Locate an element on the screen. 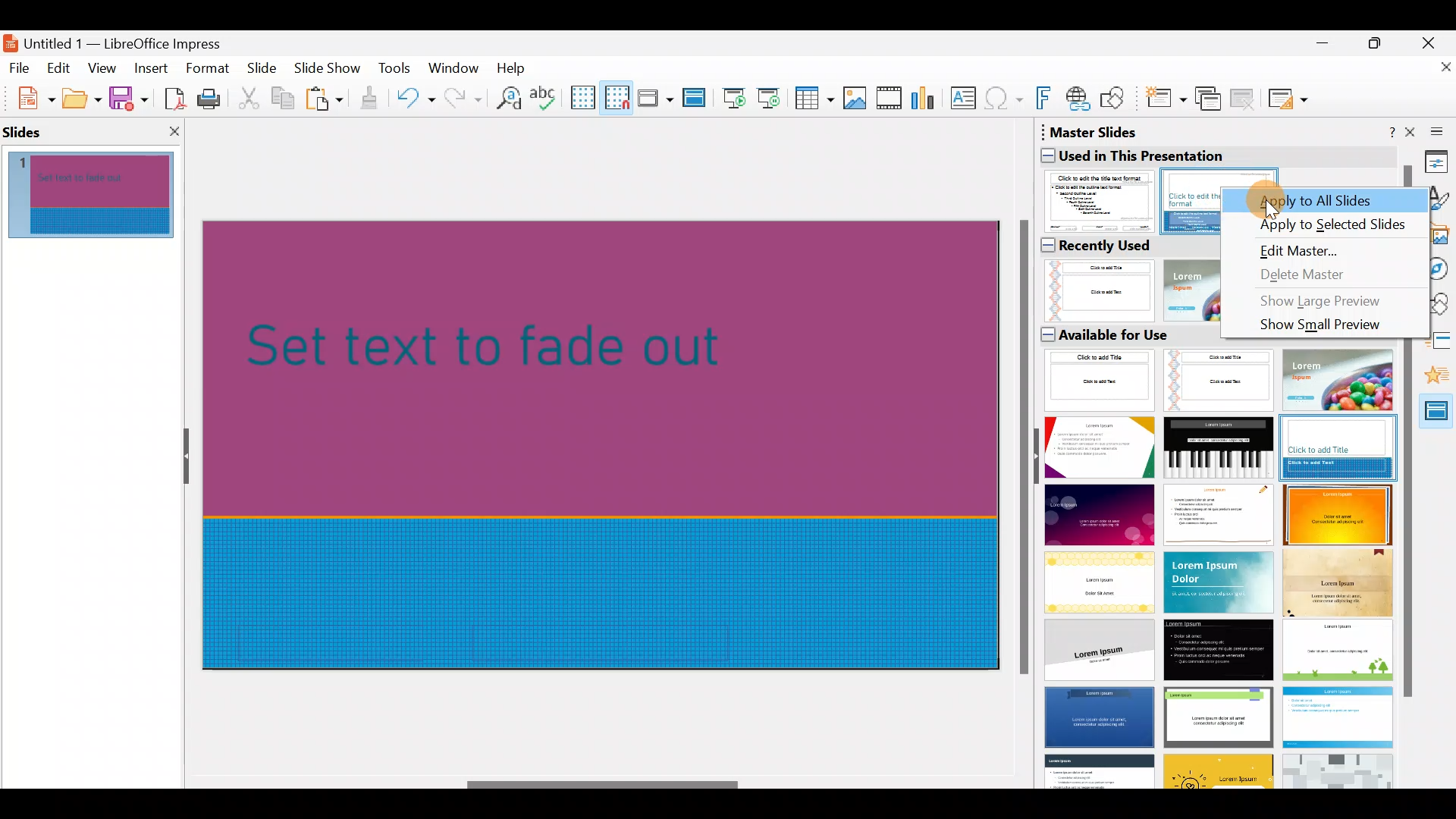 The height and width of the screenshot is (819, 1456). Table is located at coordinates (815, 99).